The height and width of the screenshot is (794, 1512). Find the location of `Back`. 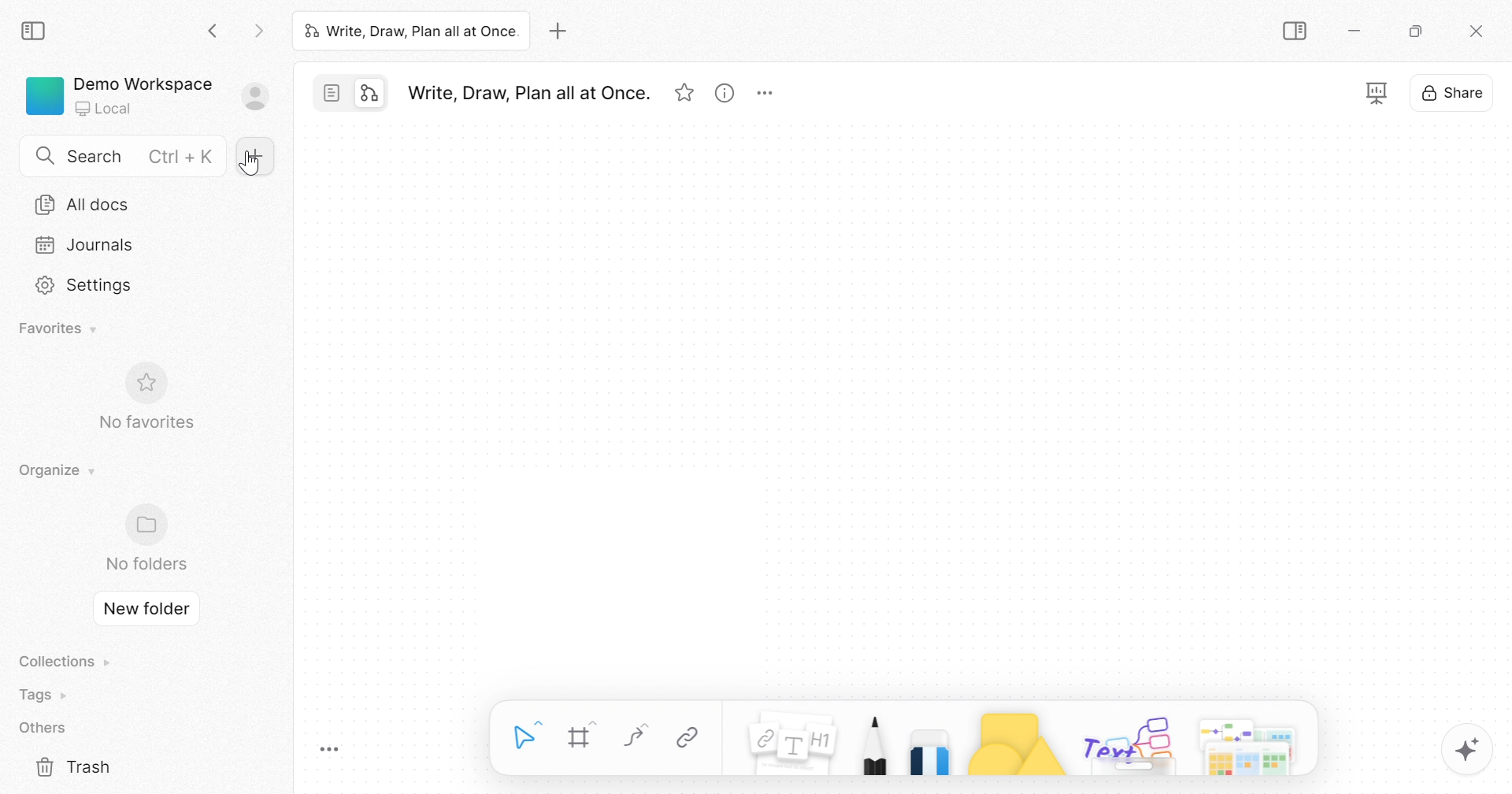

Back is located at coordinates (215, 33).